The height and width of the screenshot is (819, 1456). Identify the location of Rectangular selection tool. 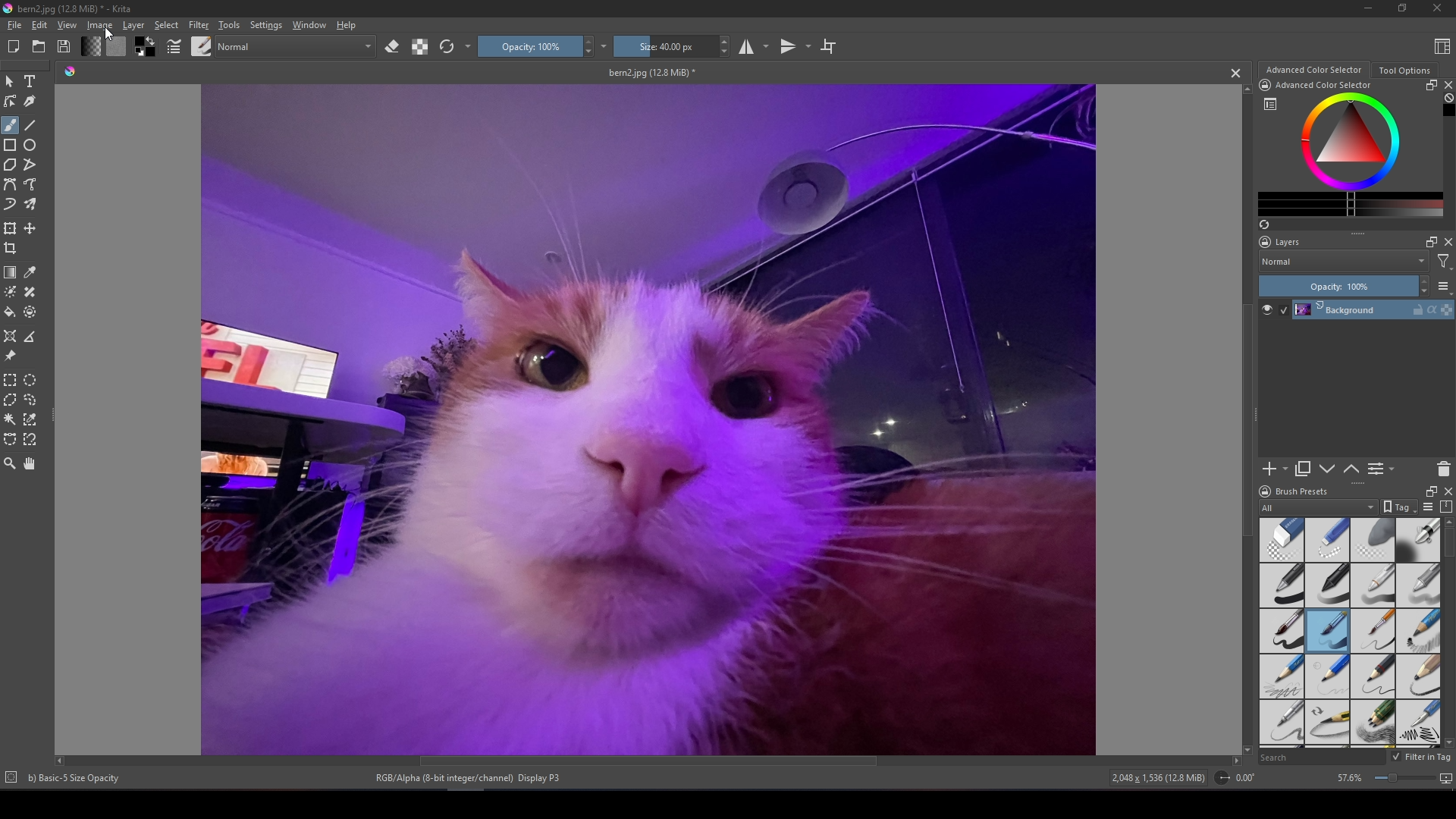
(11, 379).